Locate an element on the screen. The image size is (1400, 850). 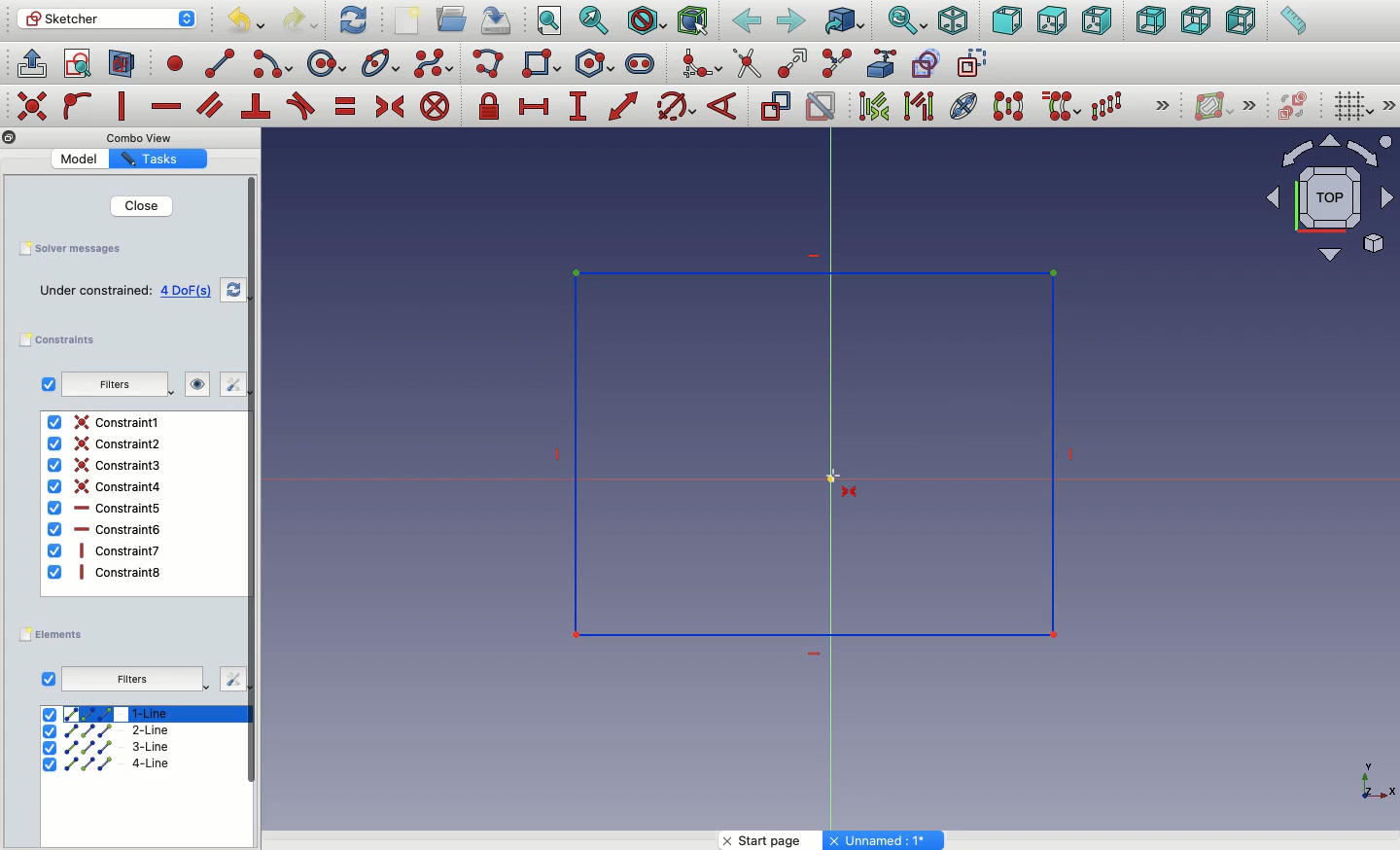
refresh is located at coordinates (233, 290).